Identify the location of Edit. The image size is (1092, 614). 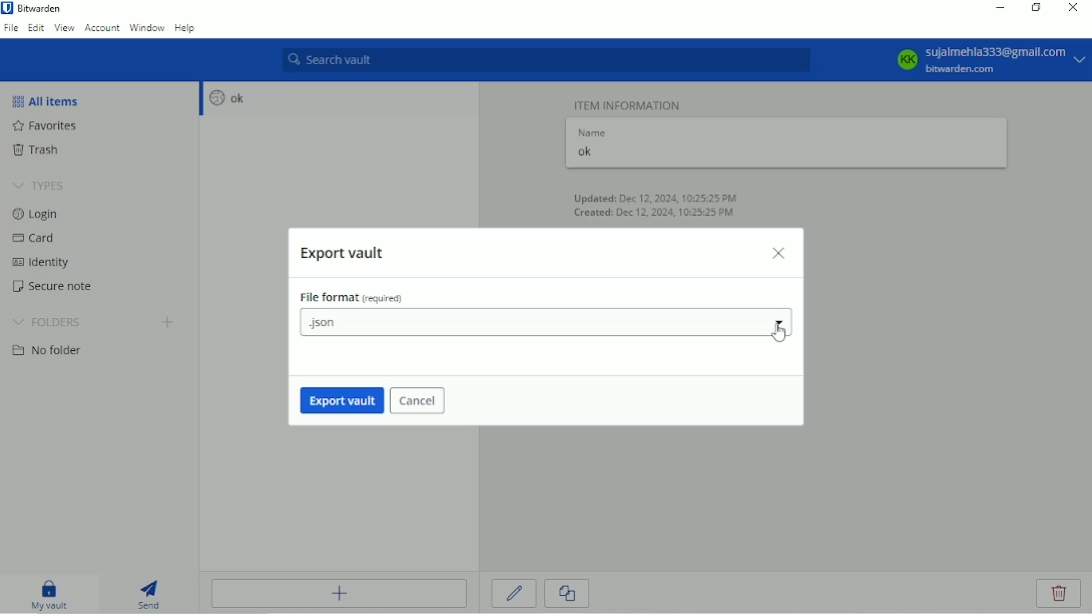
(36, 27).